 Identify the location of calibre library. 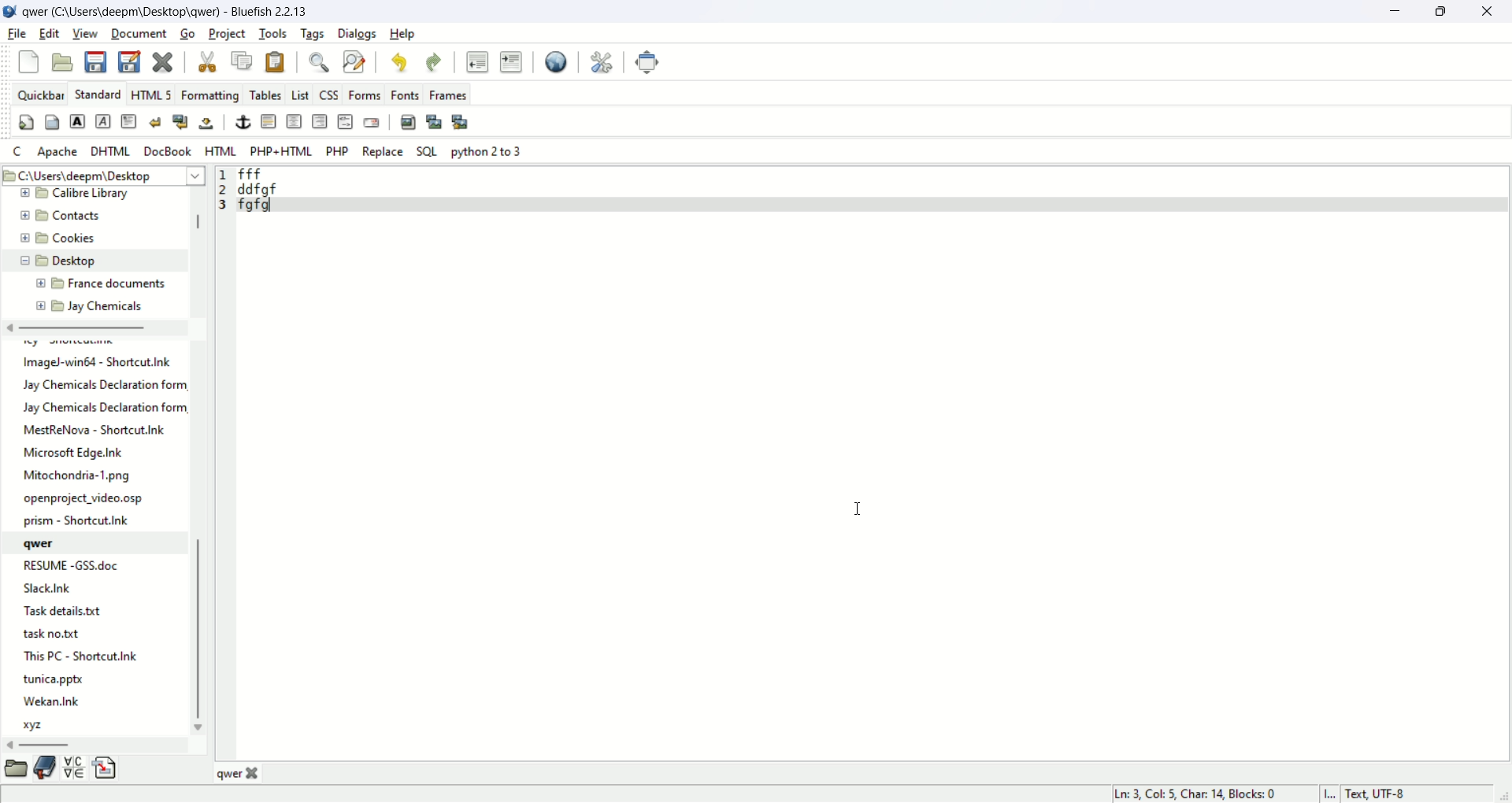
(72, 194).